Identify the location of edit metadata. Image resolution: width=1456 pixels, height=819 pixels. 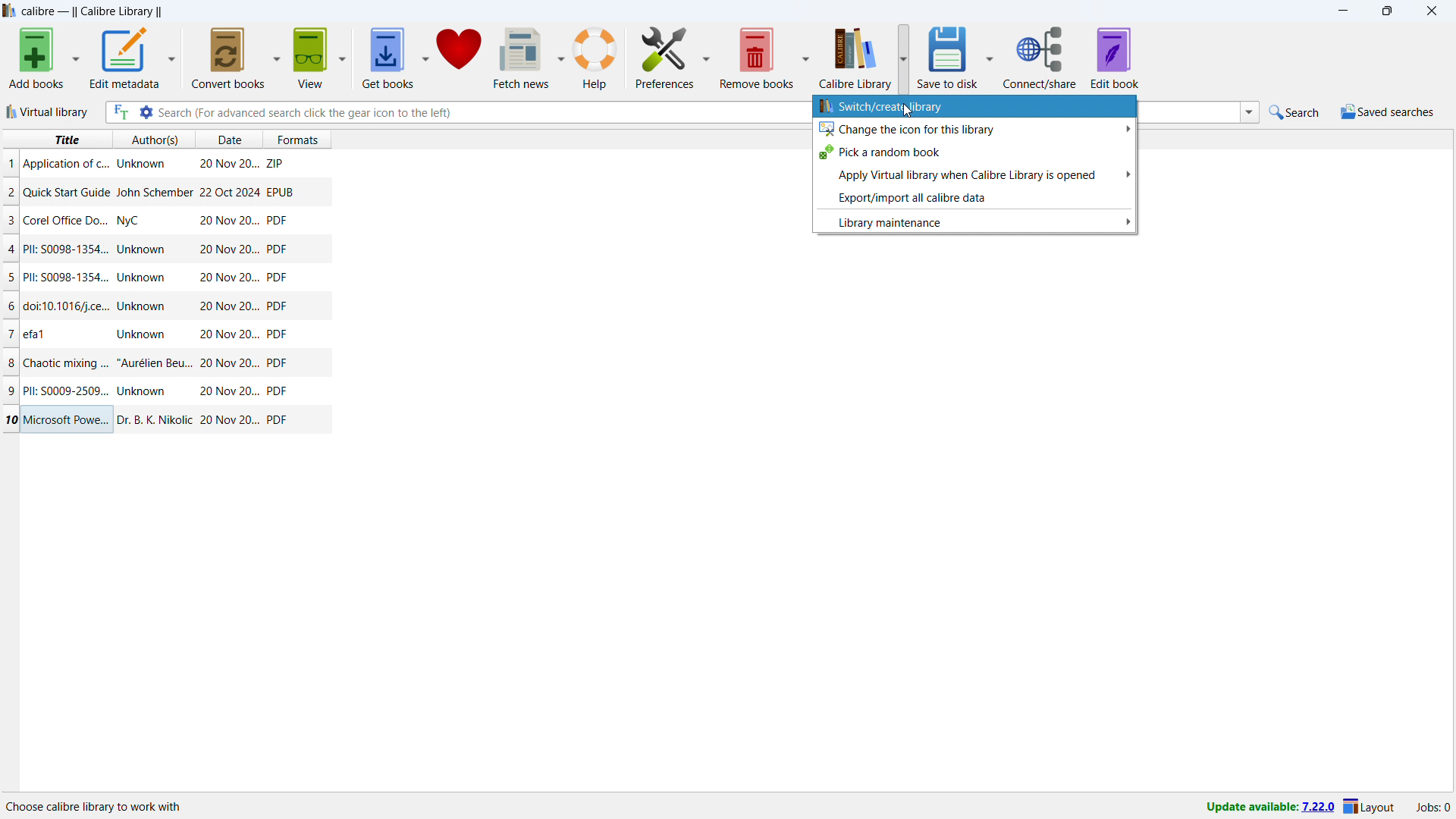
(123, 58).